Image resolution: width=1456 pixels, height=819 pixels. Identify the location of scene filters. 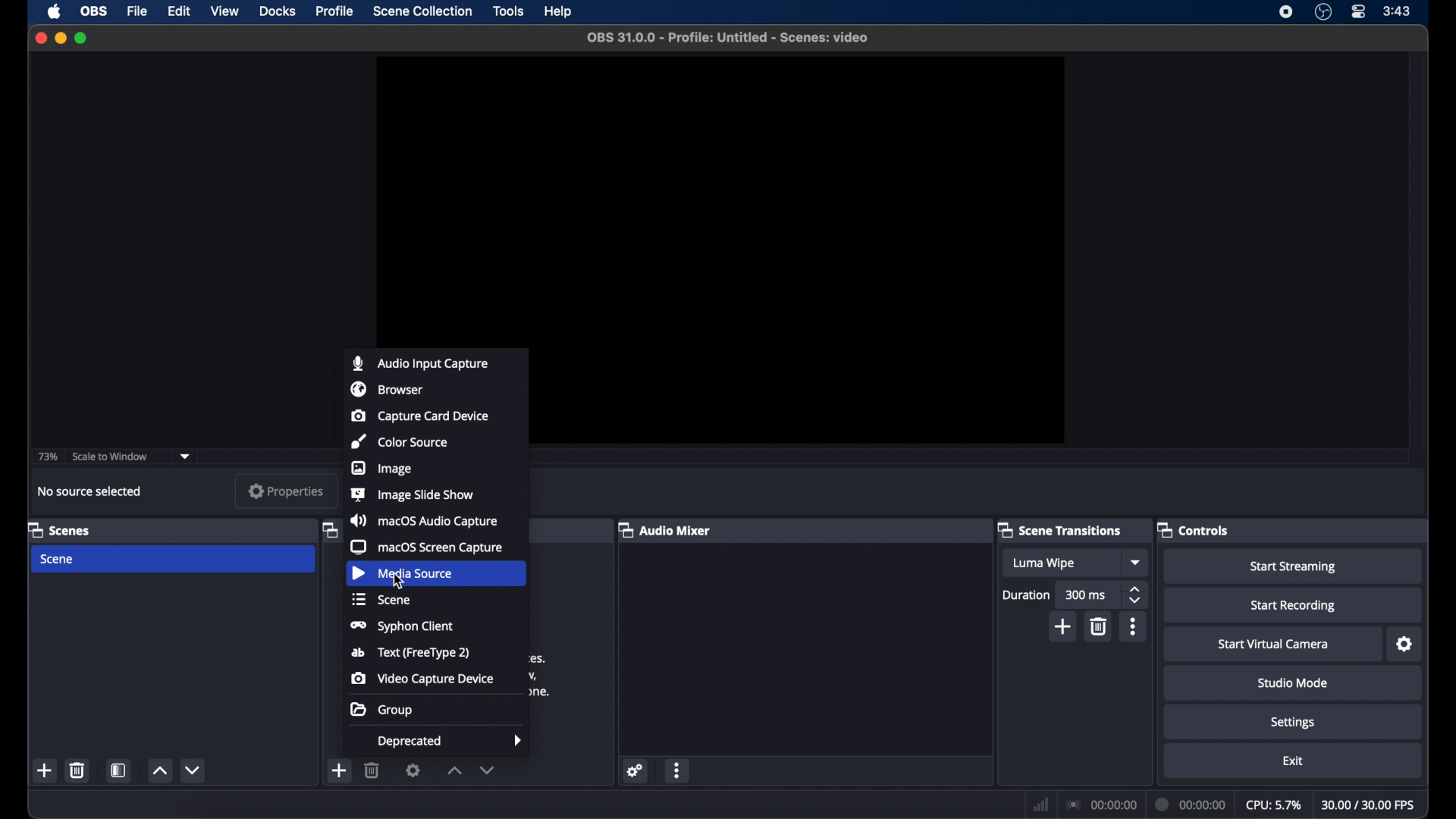
(119, 770).